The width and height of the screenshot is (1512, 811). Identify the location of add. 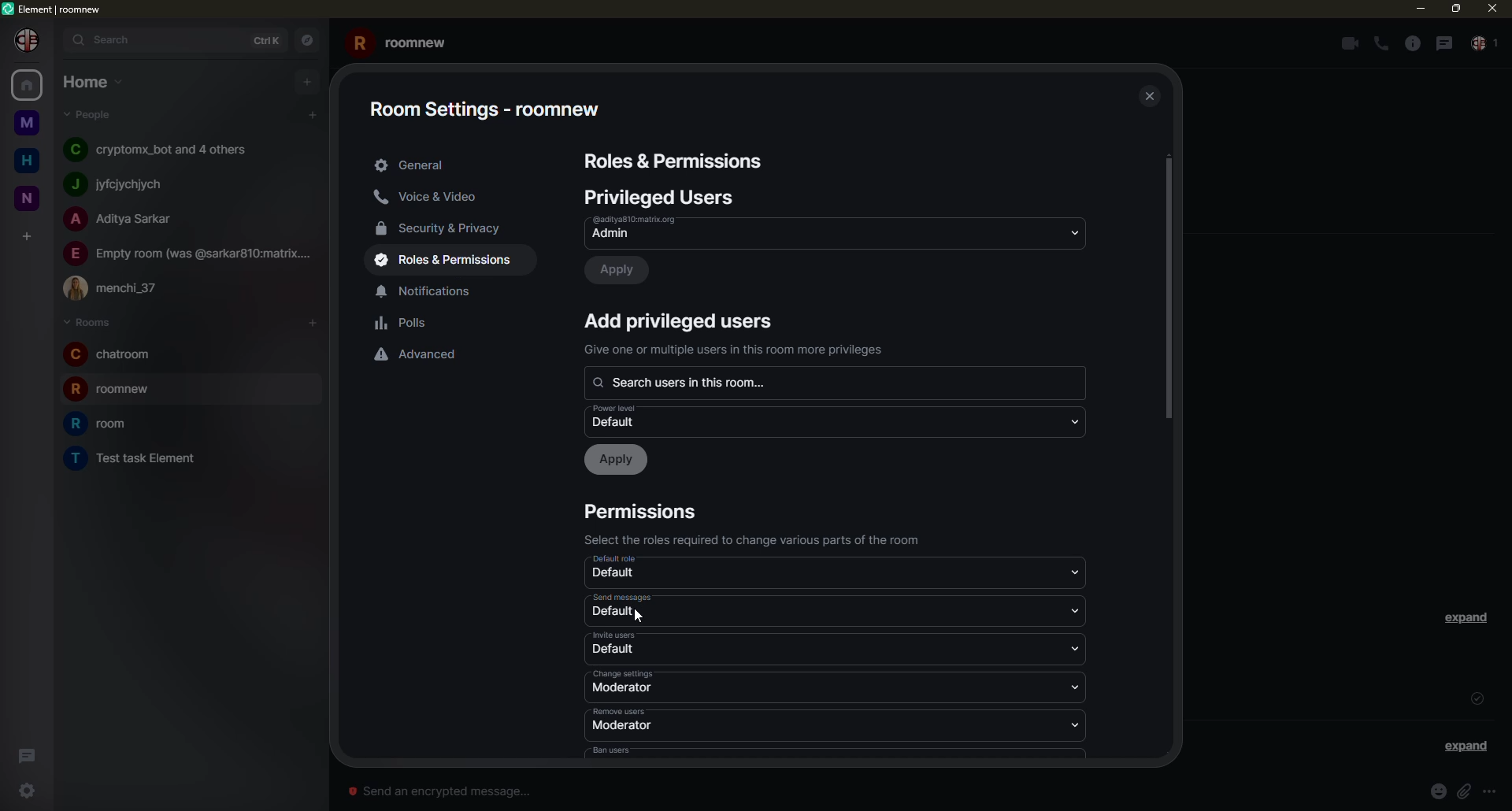
(306, 82).